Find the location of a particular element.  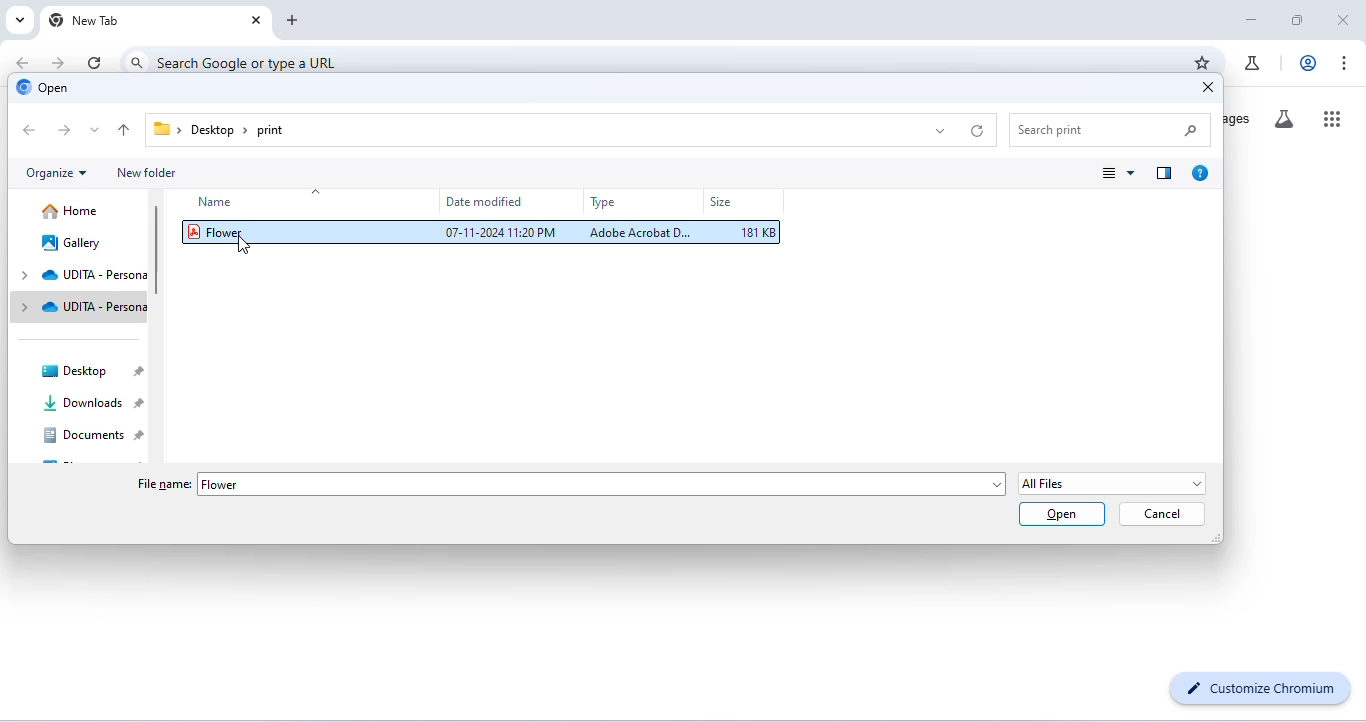

close is located at coordinates (1345, 19).